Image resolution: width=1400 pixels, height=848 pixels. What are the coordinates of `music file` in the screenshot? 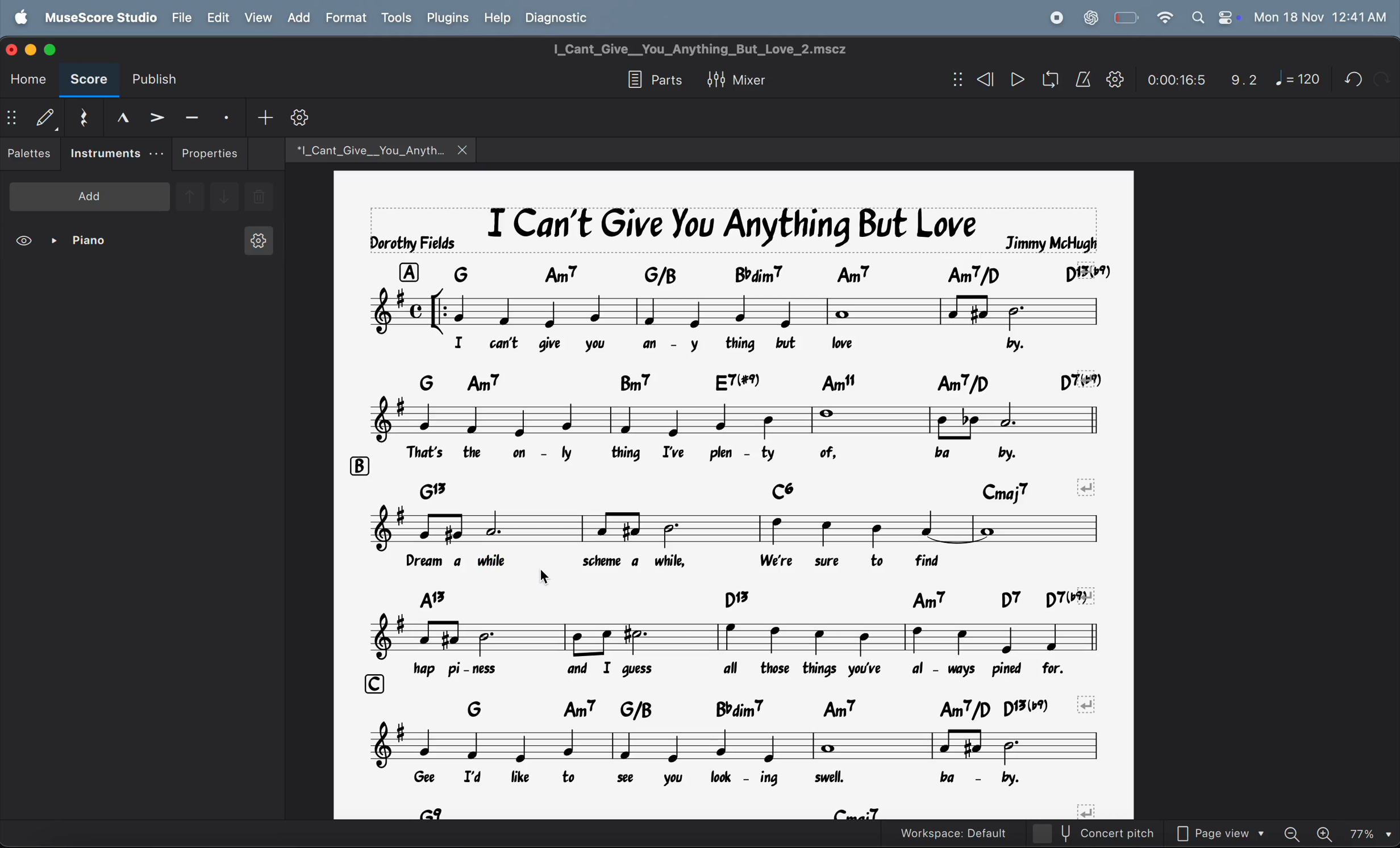 It's located at (369, 149).